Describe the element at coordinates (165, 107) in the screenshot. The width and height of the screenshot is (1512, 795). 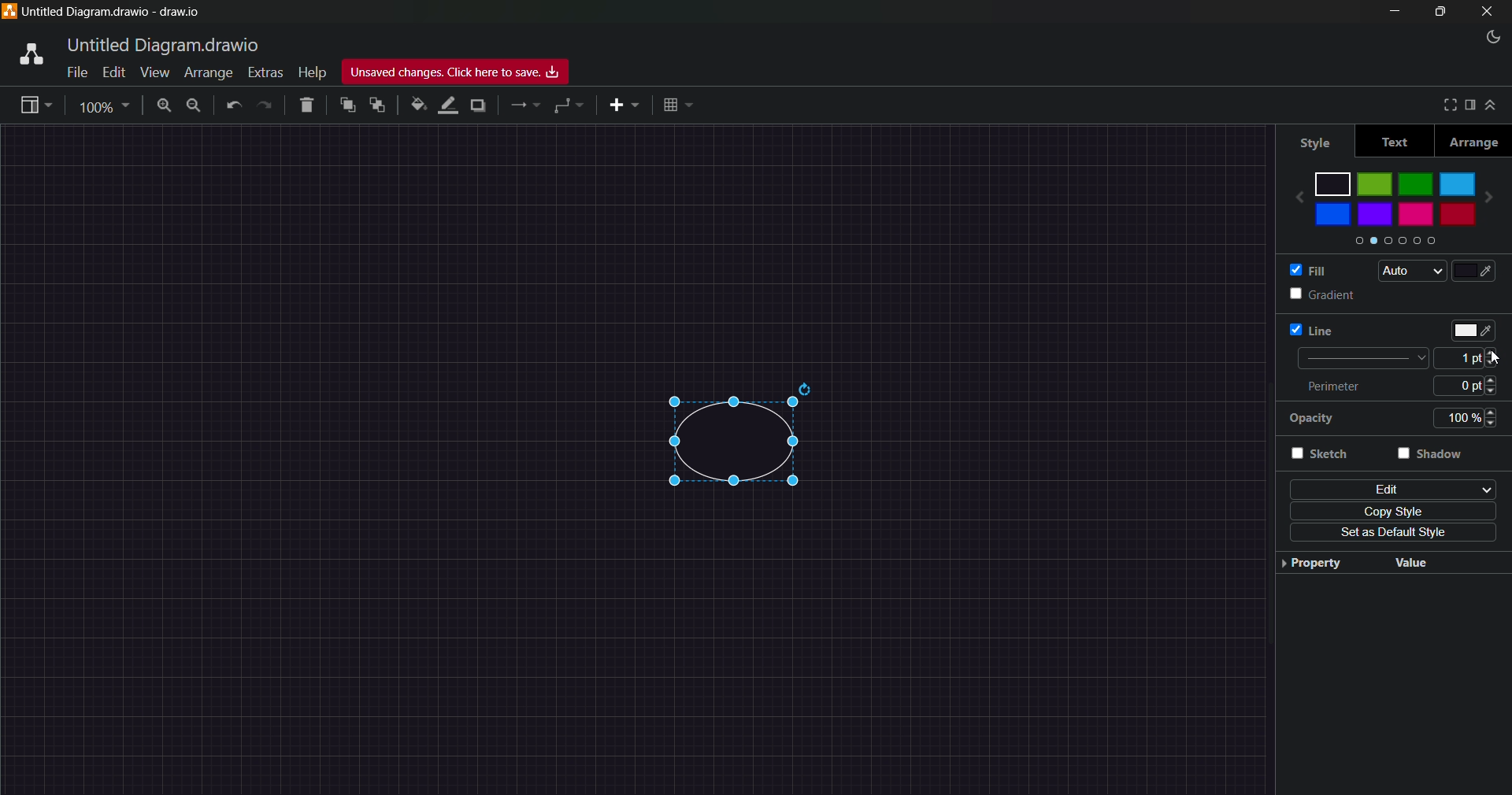
I see `zoom in` at that location.